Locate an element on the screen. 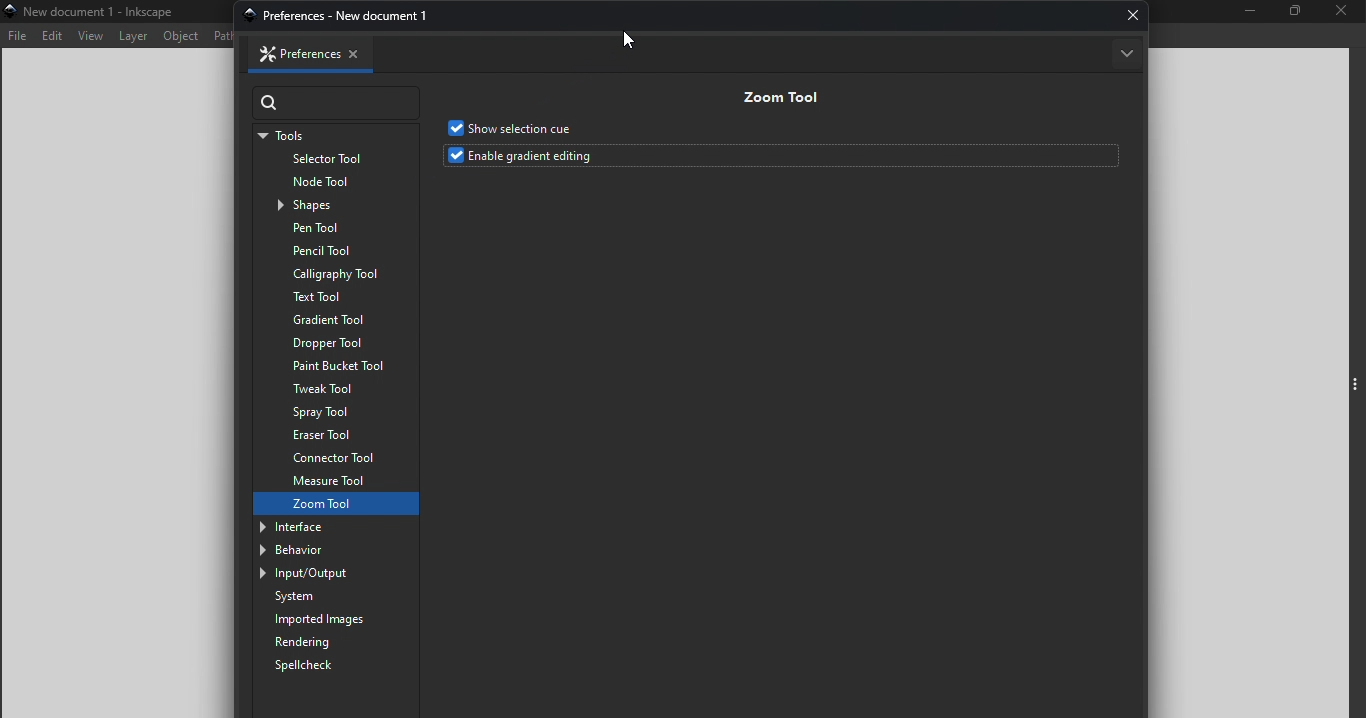 This screenshot has width=1366, height=718. Edit is located at coordinates (51, 35).